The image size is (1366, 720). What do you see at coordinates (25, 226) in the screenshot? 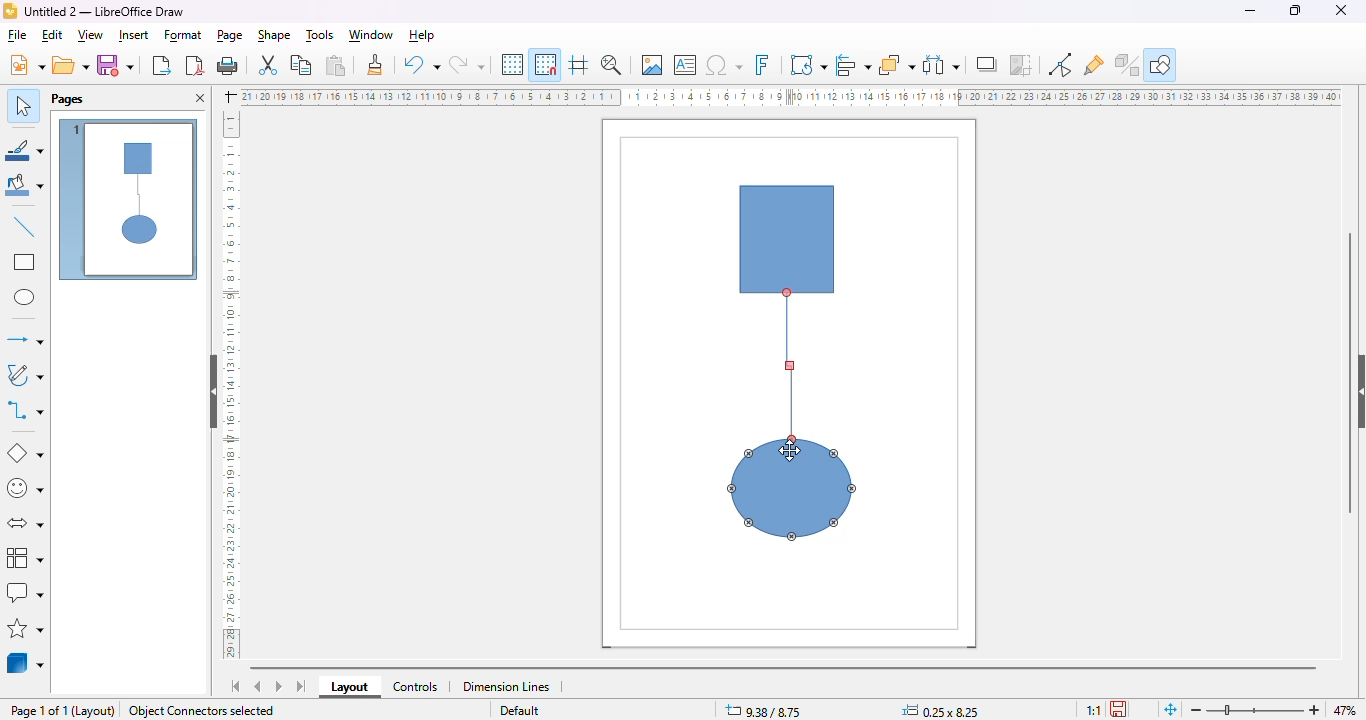
I see `insert line` at bounding box center [25, 226].